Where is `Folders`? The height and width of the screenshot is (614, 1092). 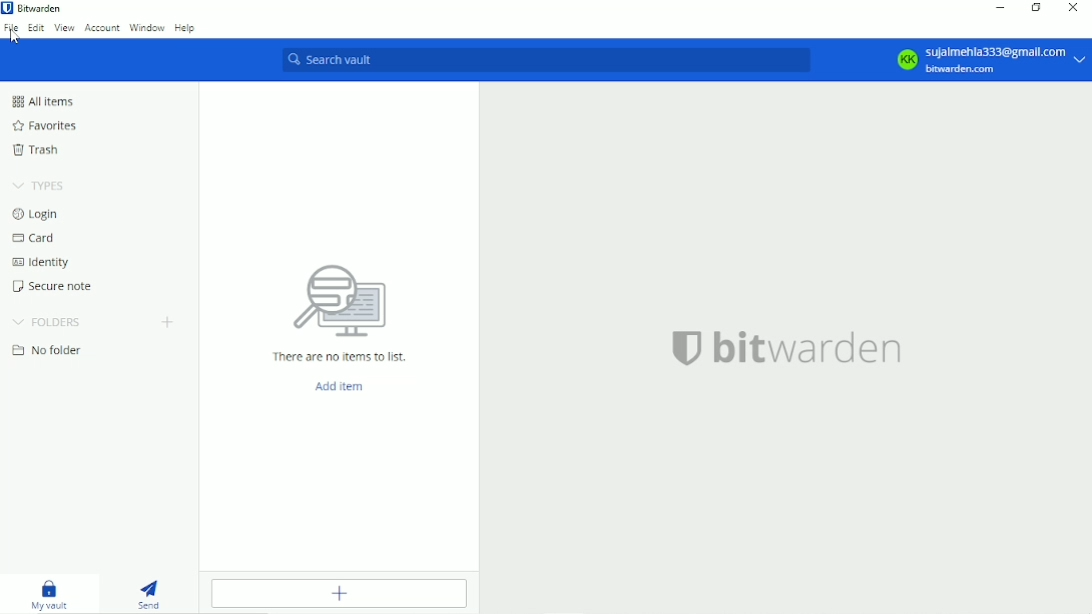 Folders is located at coordinates (48, 322).